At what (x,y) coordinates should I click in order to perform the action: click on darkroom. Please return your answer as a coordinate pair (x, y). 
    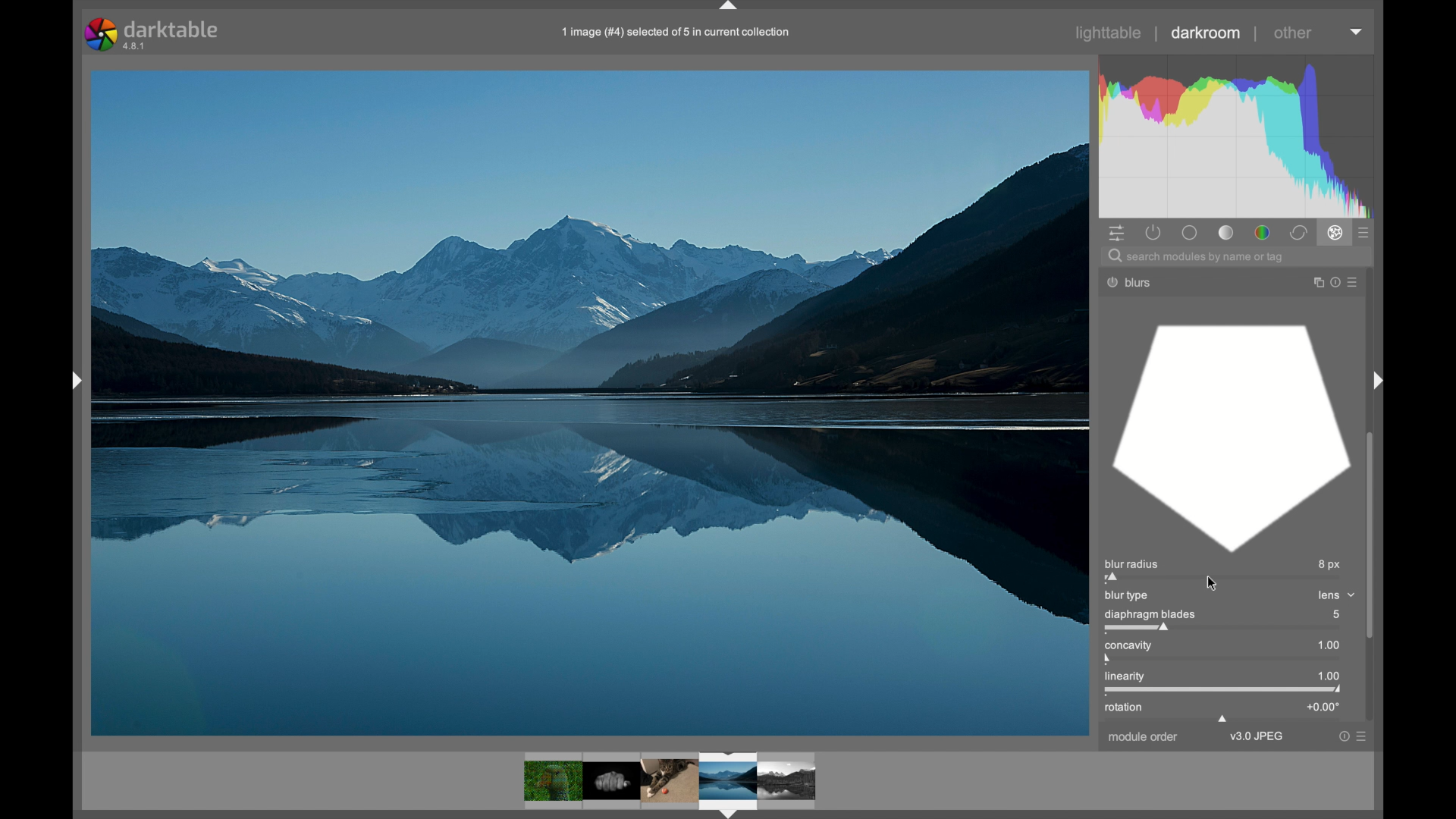
    Looking at the image, I should click on (1207, 33).